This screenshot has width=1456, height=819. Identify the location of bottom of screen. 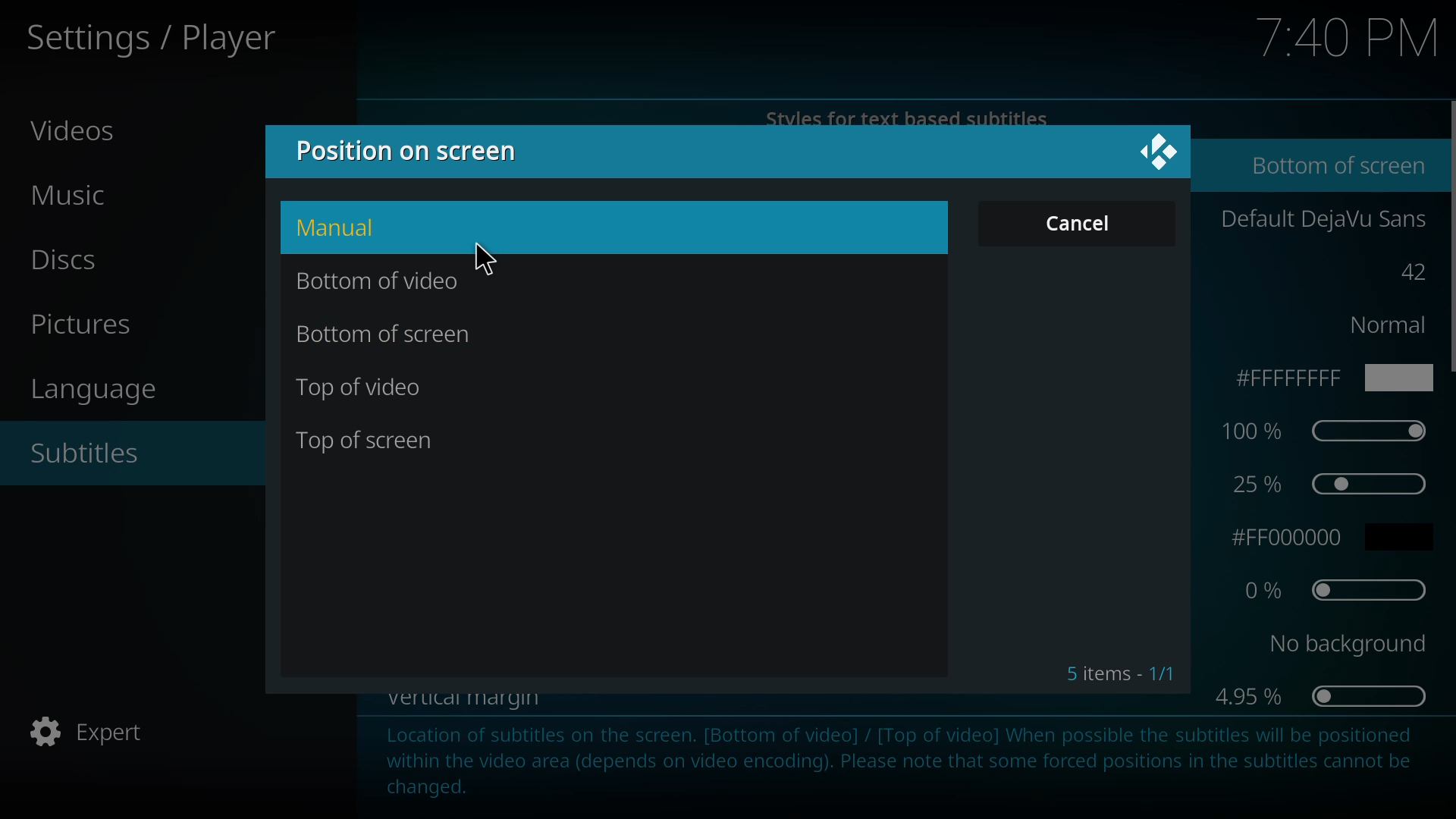
(1335, 164).